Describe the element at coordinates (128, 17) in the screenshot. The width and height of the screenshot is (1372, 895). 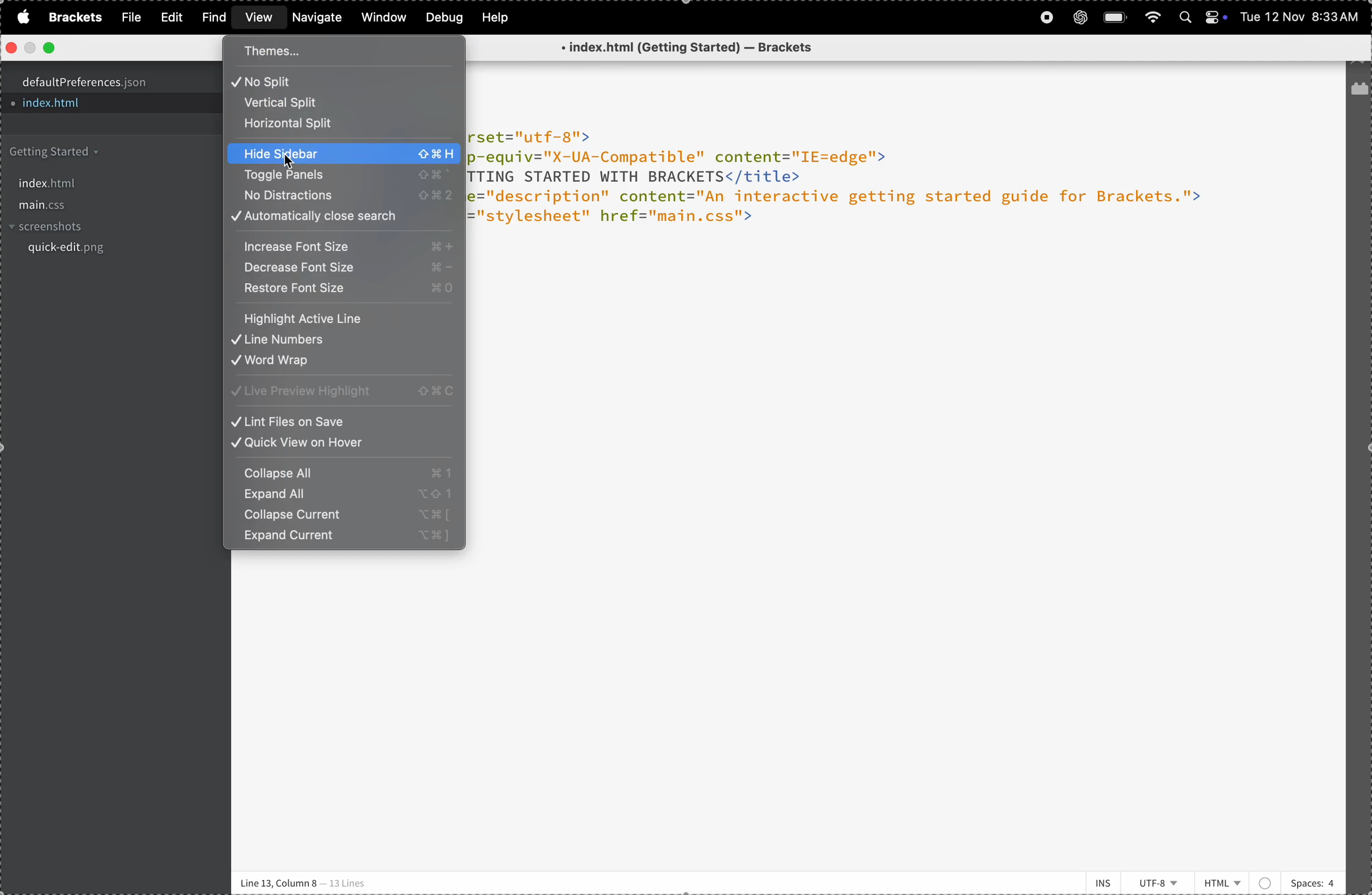
I see `file` at that location.